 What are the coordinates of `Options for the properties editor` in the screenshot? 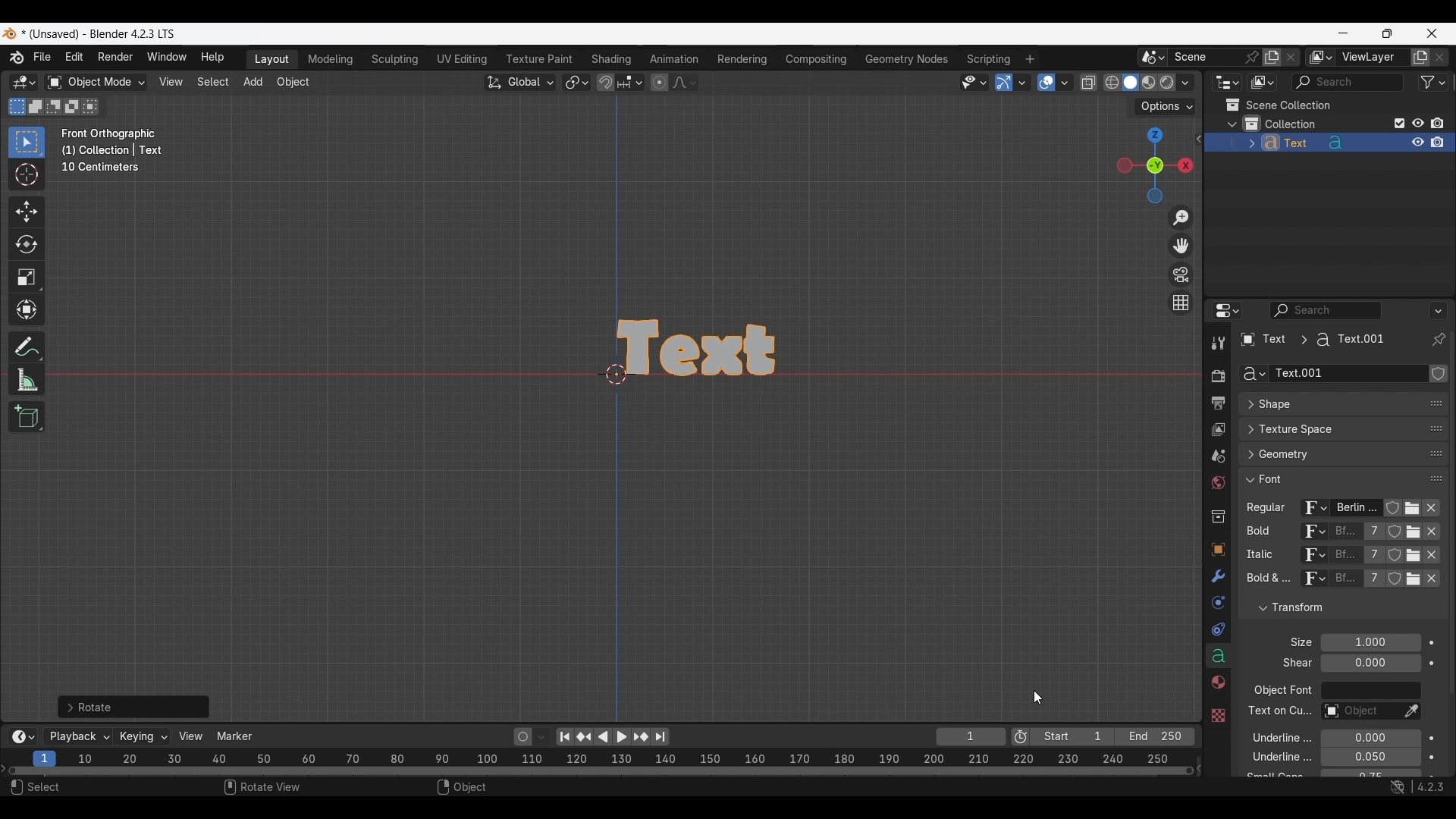 It's located at (1439, 310).